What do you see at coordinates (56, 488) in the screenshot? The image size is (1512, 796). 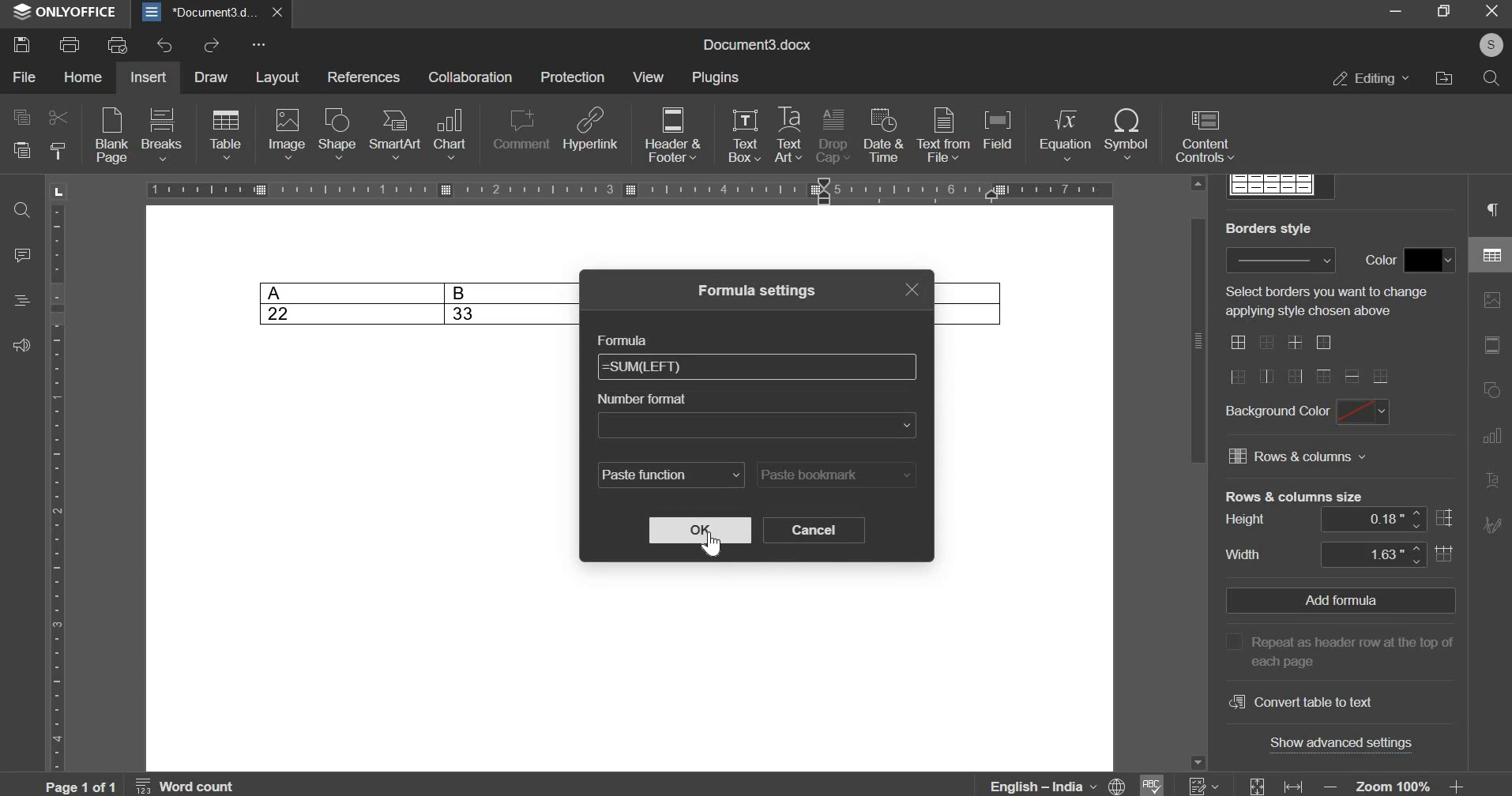 I see `Ruler` at bounding box center [56, 488].